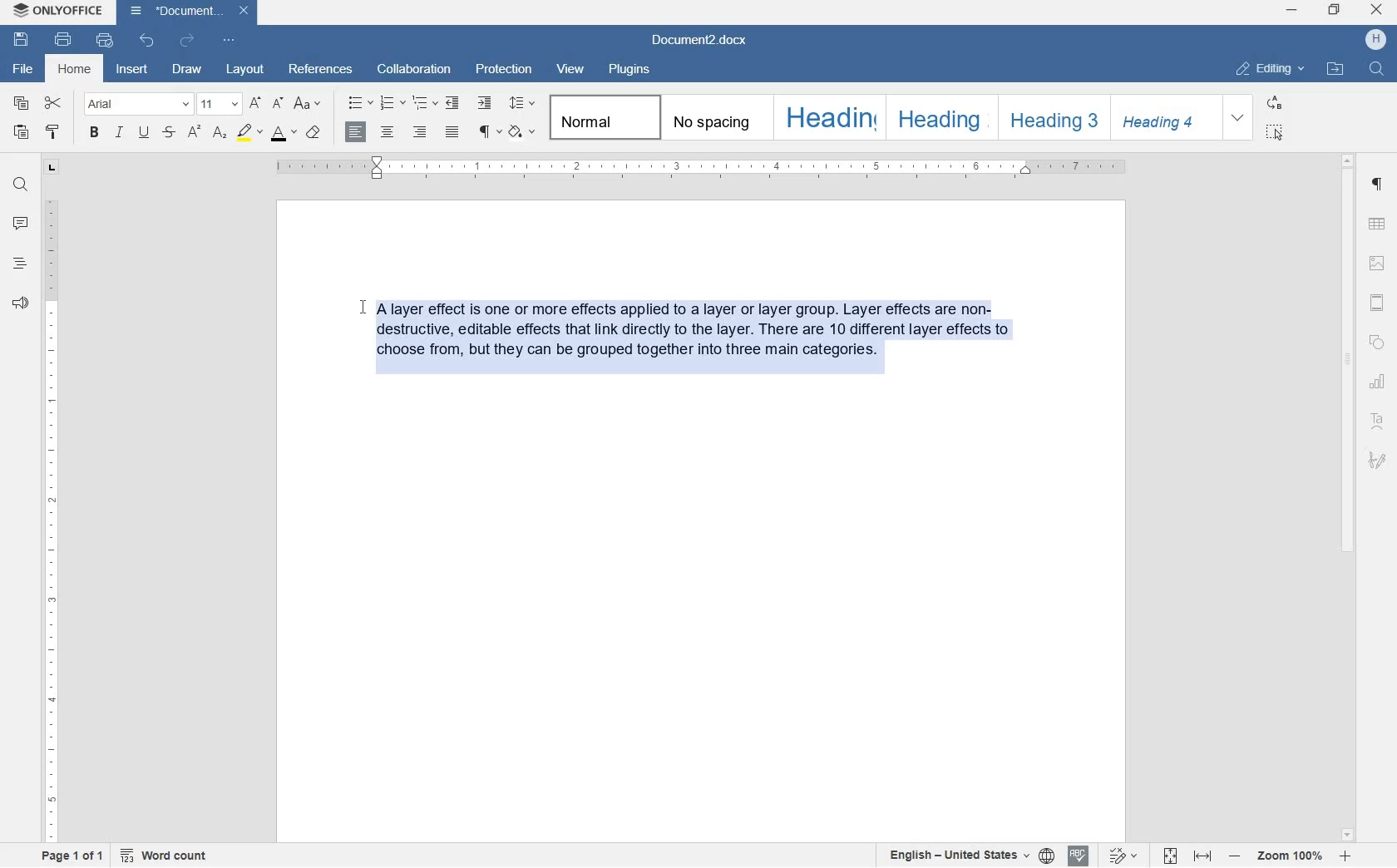 This screenshot has width=1397, height=868. I want to click on superscript, so click(194, 133).